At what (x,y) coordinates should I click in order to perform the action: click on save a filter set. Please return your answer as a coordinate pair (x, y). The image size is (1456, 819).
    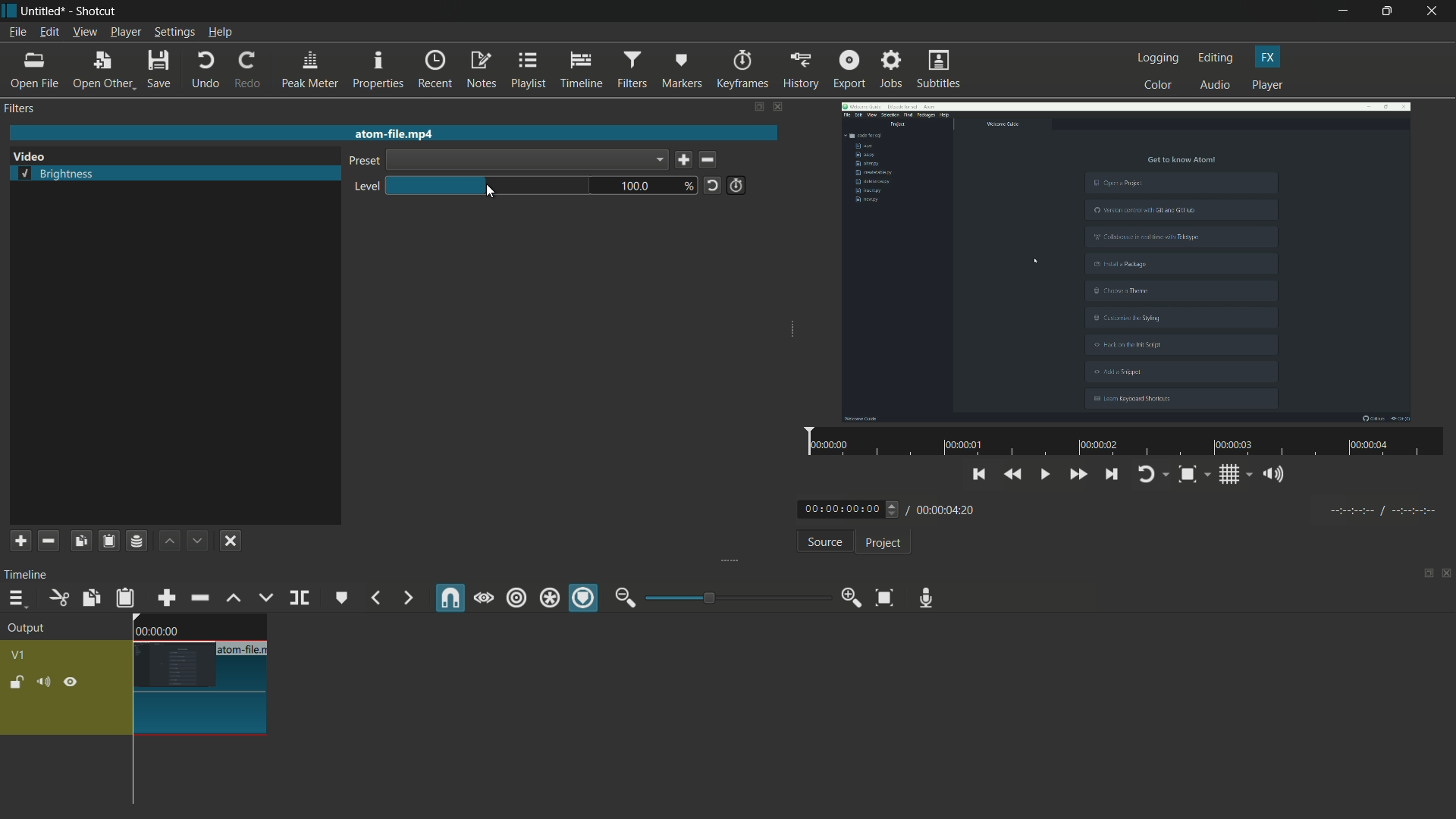
    Looking at the image, I should click on (136, 542).